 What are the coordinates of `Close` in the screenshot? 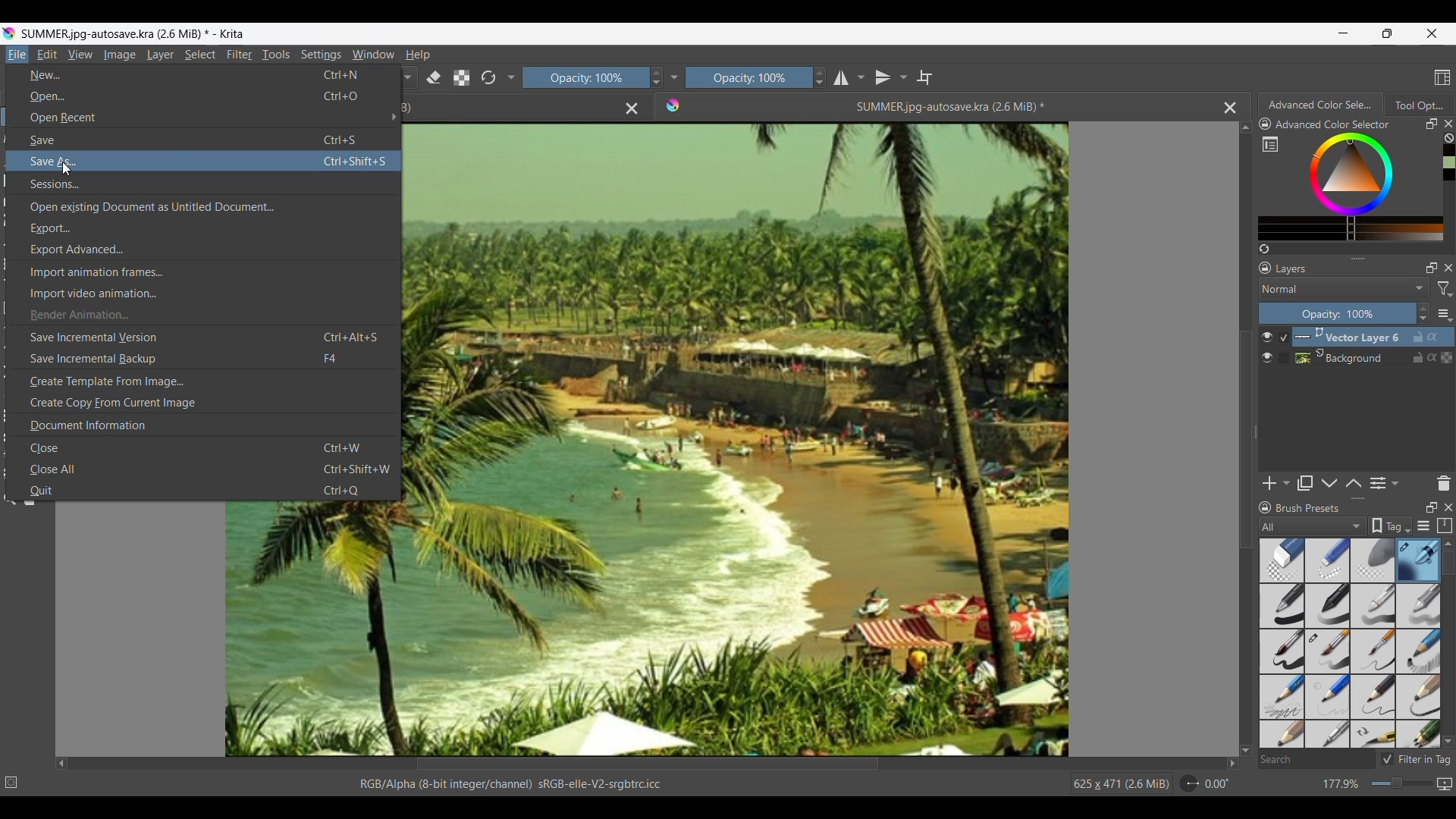 It's located at (630, 108).